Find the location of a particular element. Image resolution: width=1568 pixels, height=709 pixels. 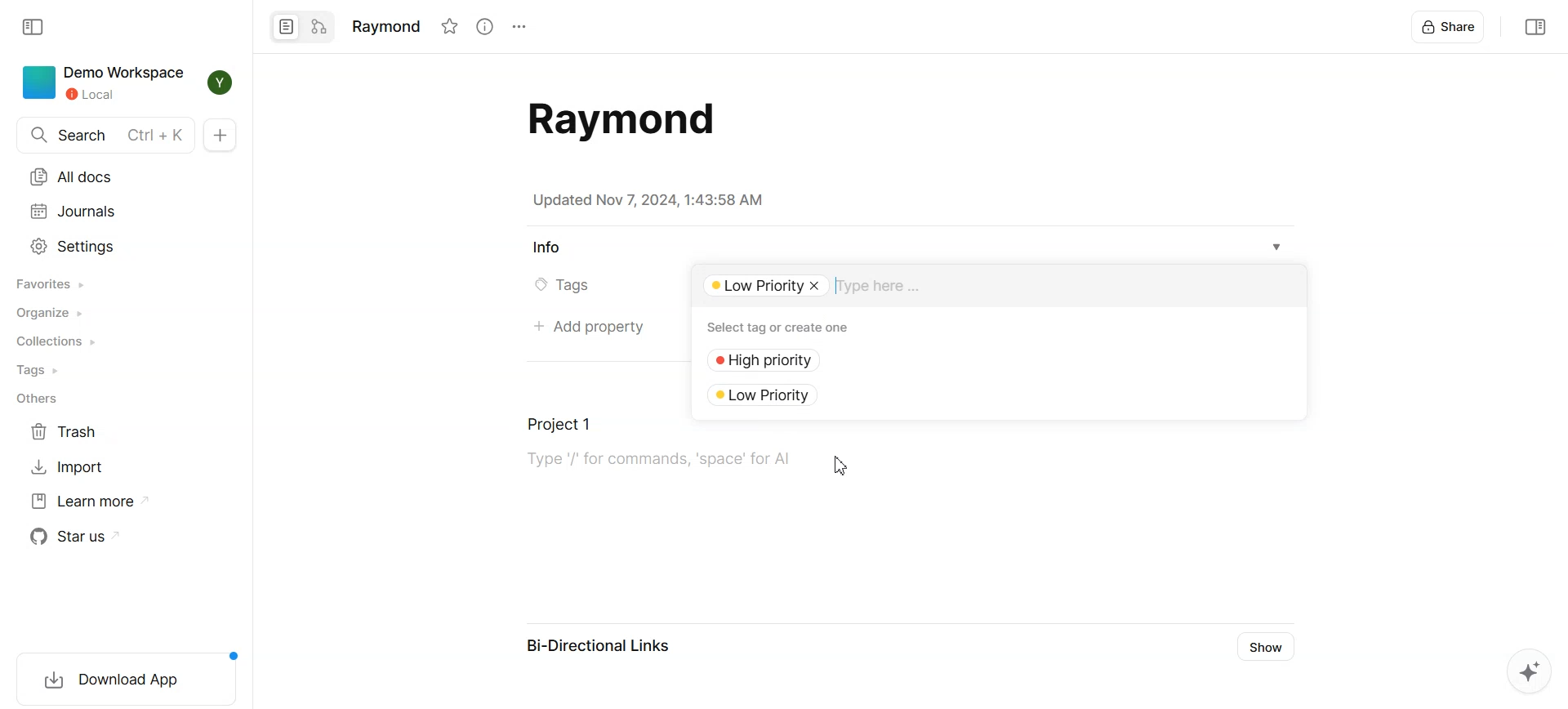

Collapse Sidebar is located at coordinates (35, 27).